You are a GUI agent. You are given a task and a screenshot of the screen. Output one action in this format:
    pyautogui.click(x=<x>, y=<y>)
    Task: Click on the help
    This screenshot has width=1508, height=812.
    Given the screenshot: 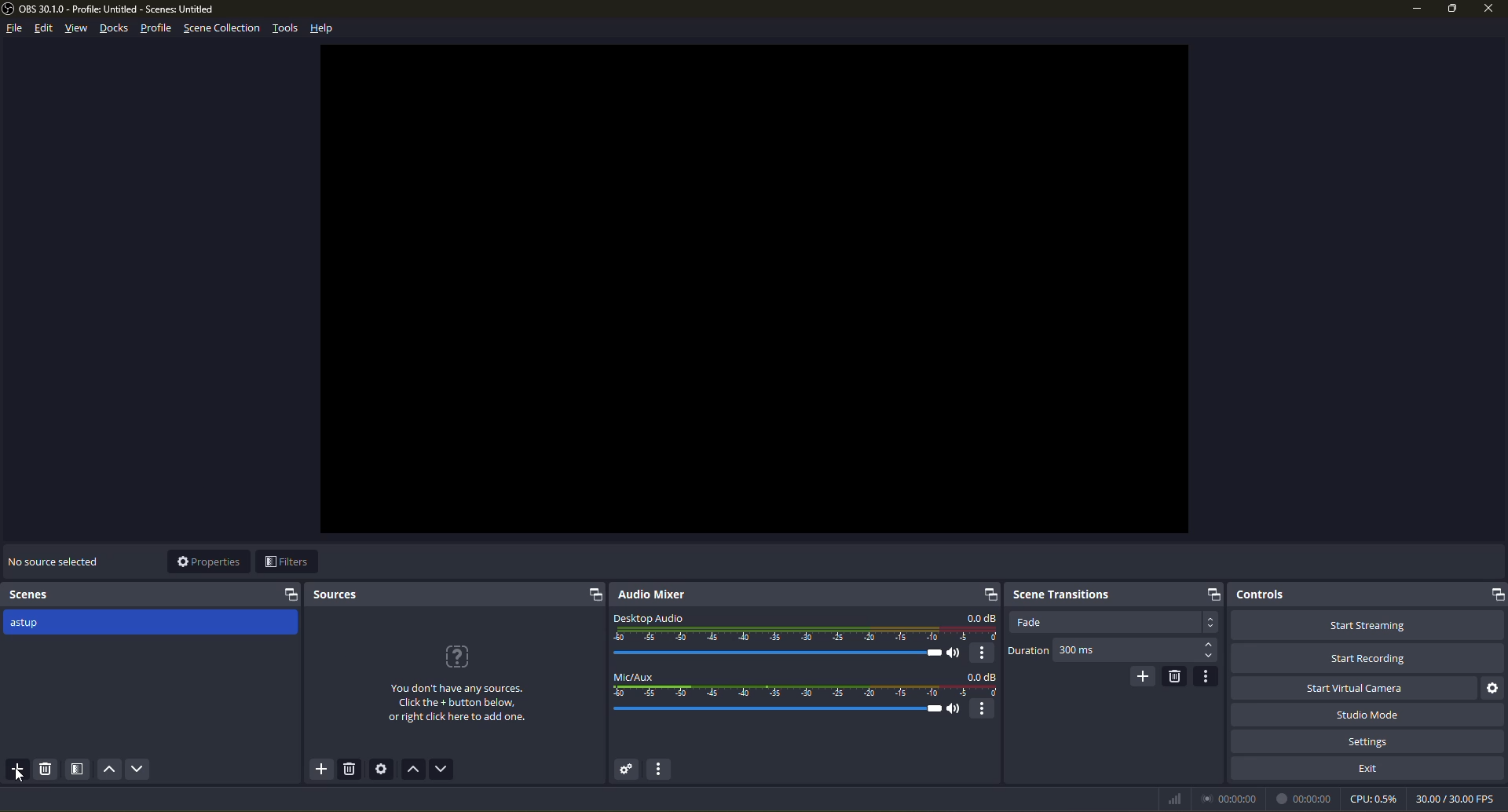 What is the action you would take?
    pyautogui.click(x=321, y=29)
    